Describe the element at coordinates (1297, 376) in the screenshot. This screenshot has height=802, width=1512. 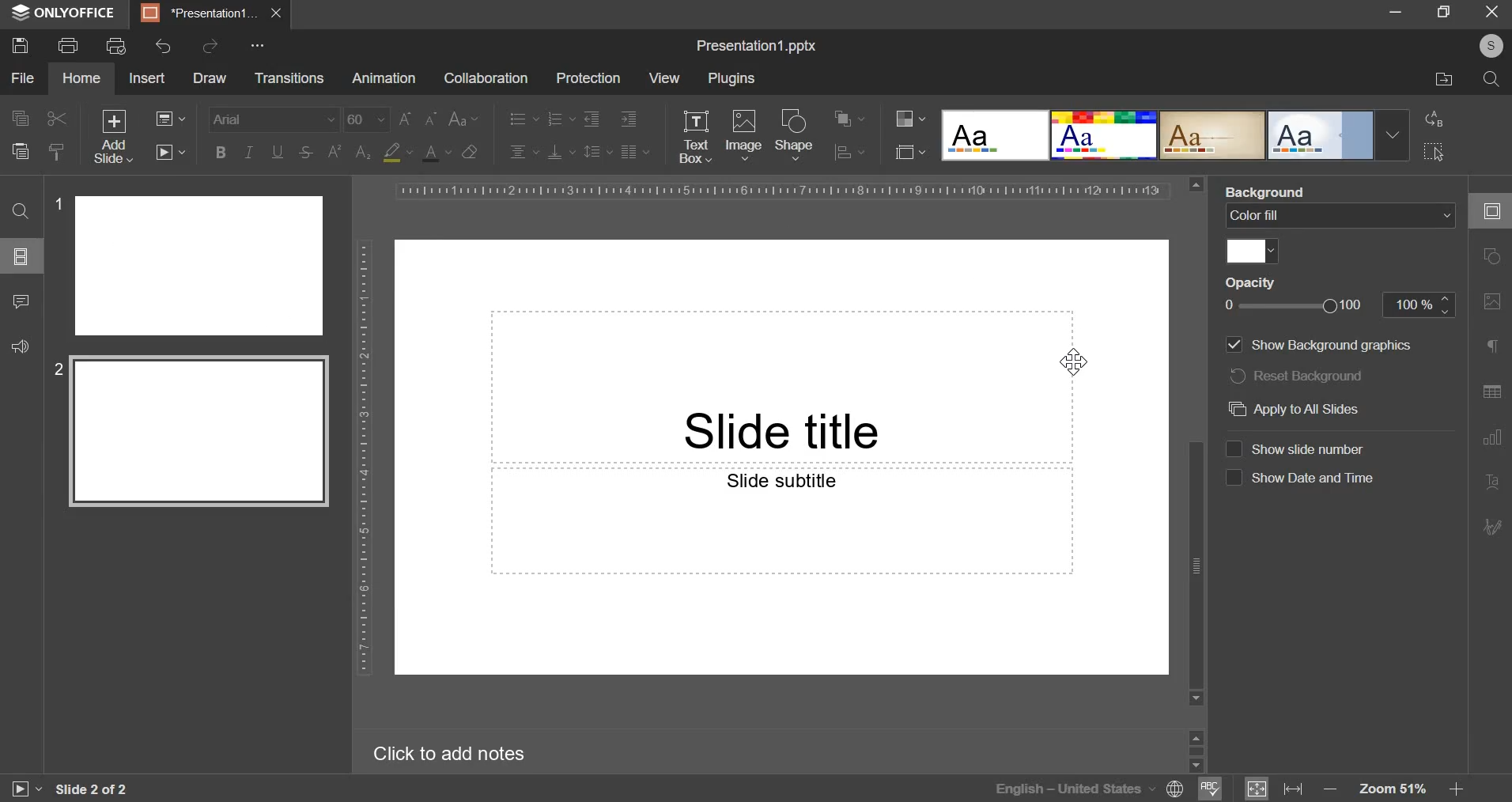
I see `reset background` at that location.